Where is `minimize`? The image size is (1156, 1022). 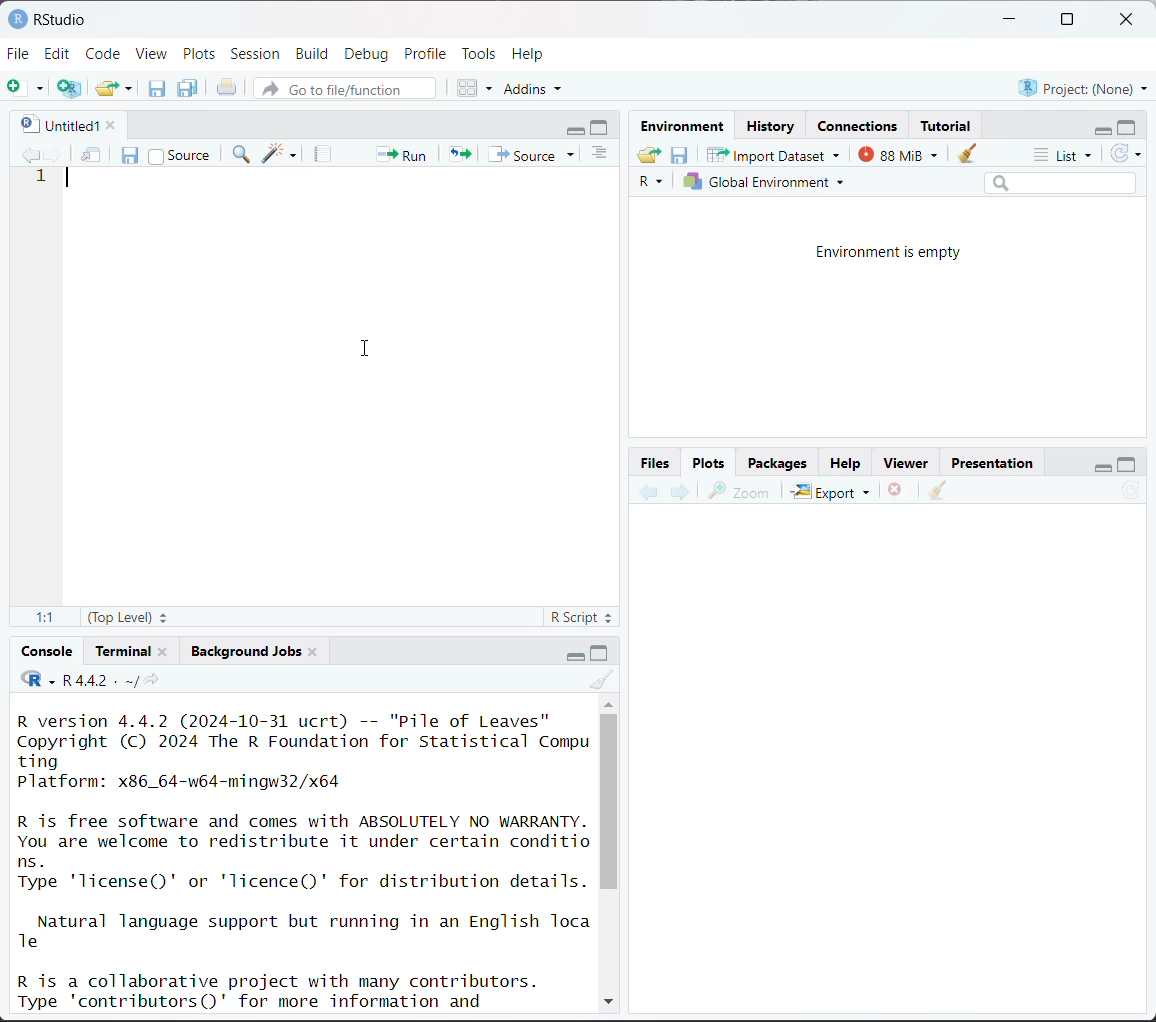 minimize is located at coordinates (1099, 464).